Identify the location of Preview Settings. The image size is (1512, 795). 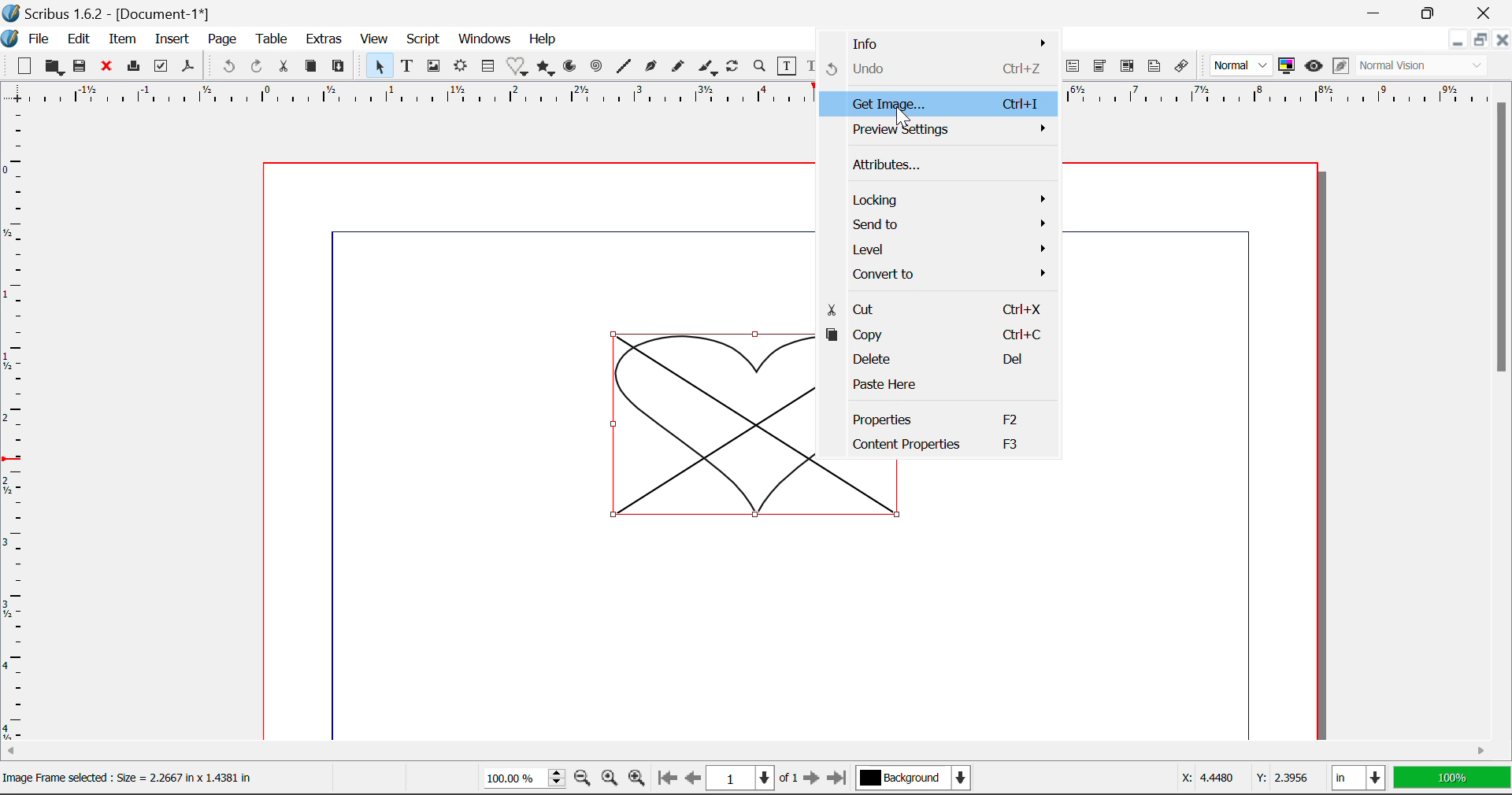
(943, 129).